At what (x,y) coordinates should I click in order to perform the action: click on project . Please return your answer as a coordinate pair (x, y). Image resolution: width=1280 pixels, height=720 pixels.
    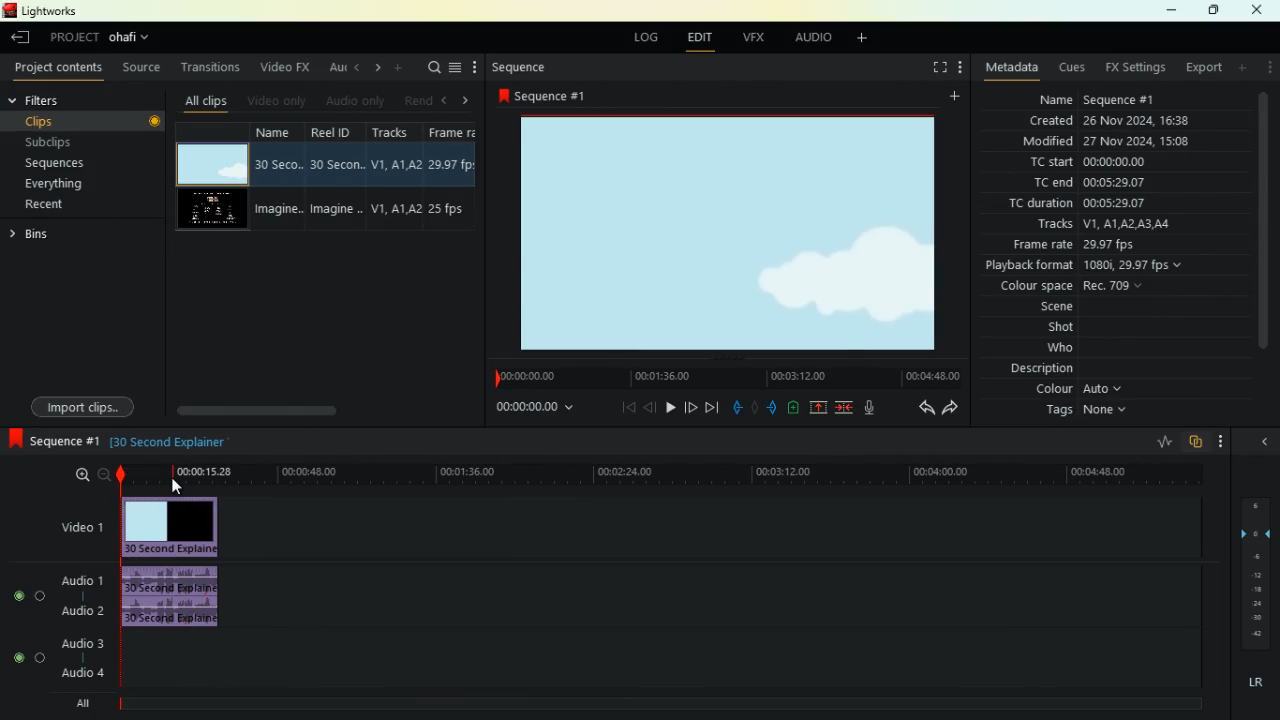
    Looking at the image, I should click on (101, 39).